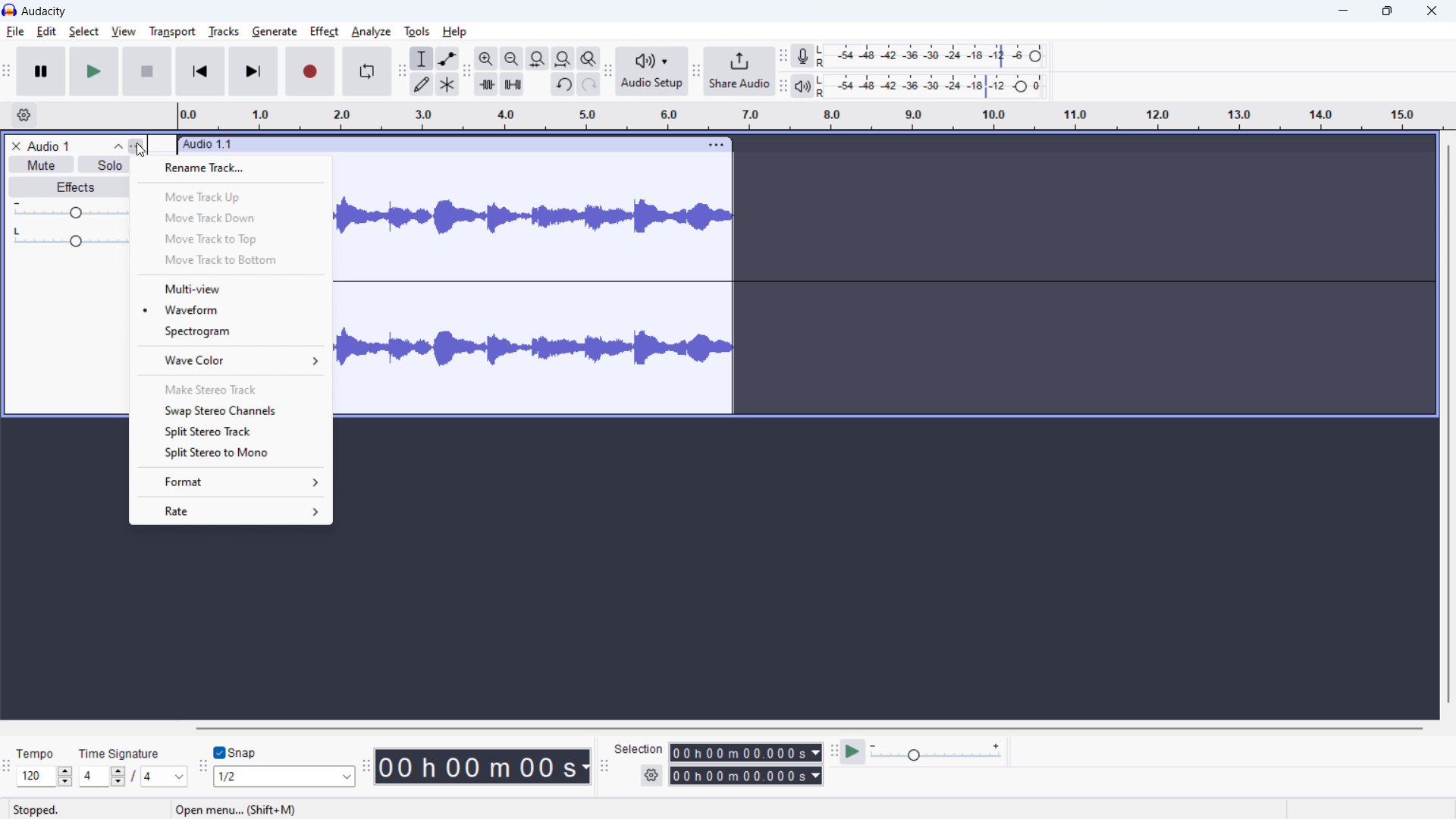 The image size is (1456, 819). Describe the element at coordinates (274, 32) in the screenshot. I see `generate` at that location.